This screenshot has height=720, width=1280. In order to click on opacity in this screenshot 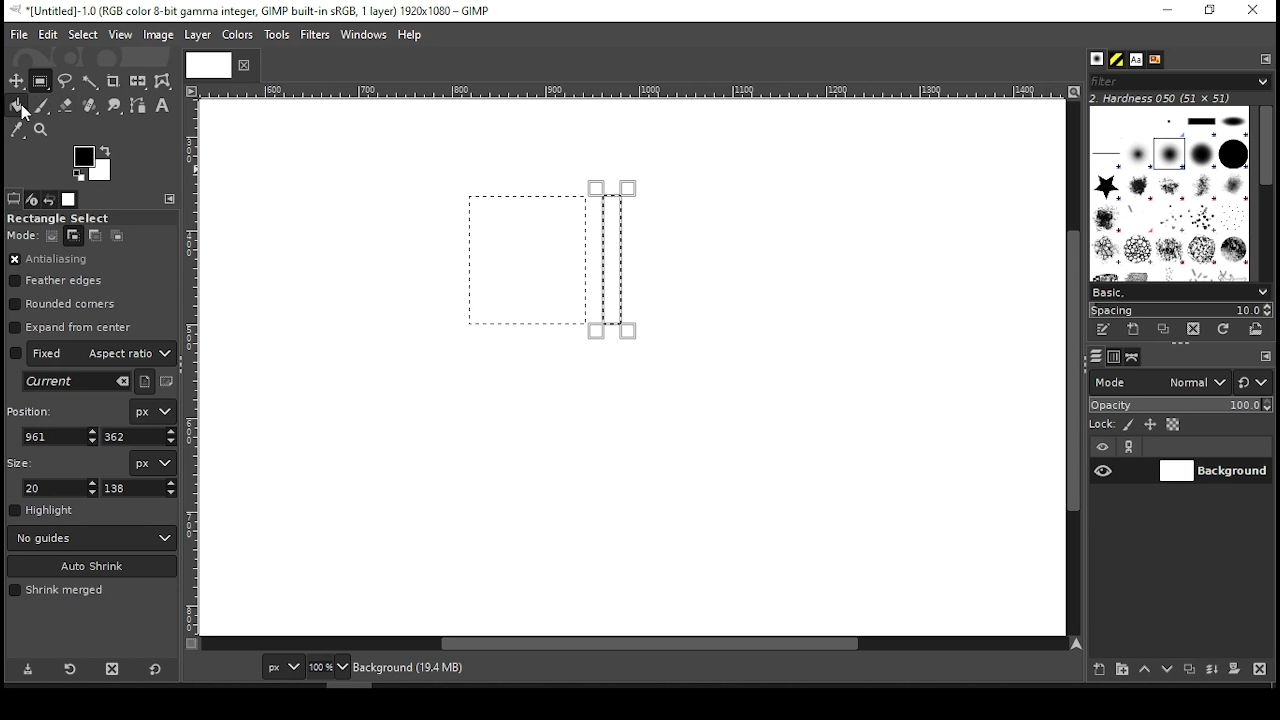, I will do `click(1179, 407)`.